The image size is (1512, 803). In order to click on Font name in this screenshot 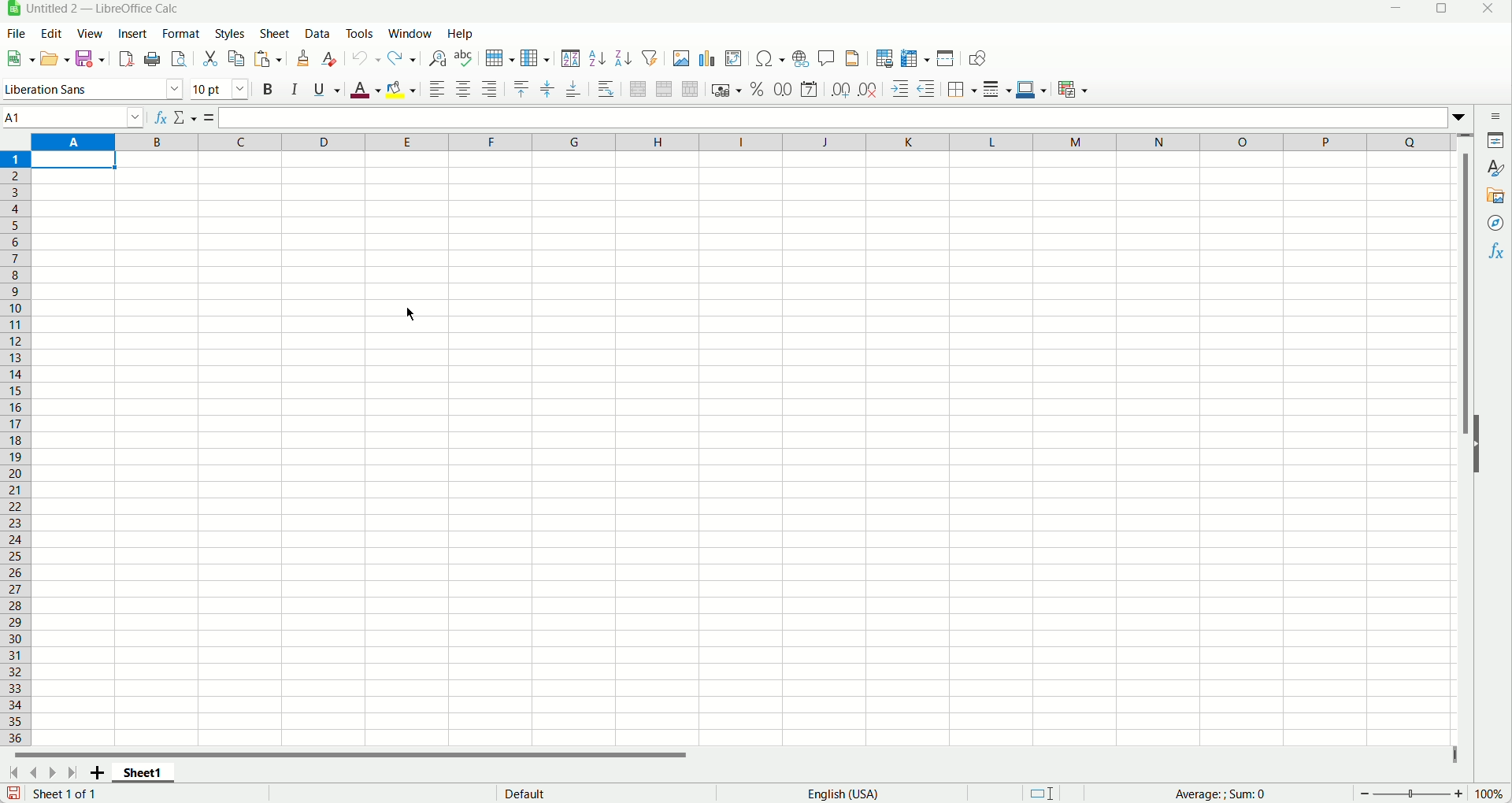, I will do `click(94, 90)`.